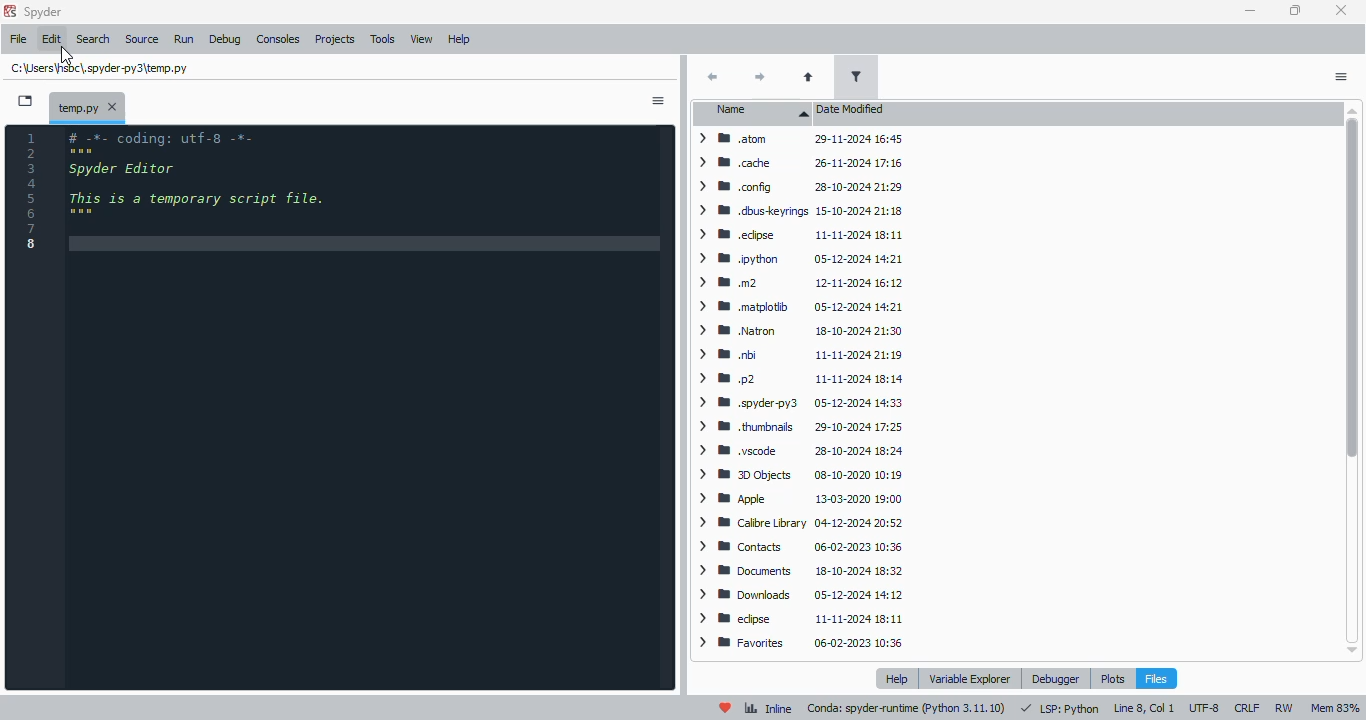 This screenshot has height=720, width=1366. What do you see at coordinates (768, 708) in the screenshot?
I see `inline` at bounding box center [768, 708].